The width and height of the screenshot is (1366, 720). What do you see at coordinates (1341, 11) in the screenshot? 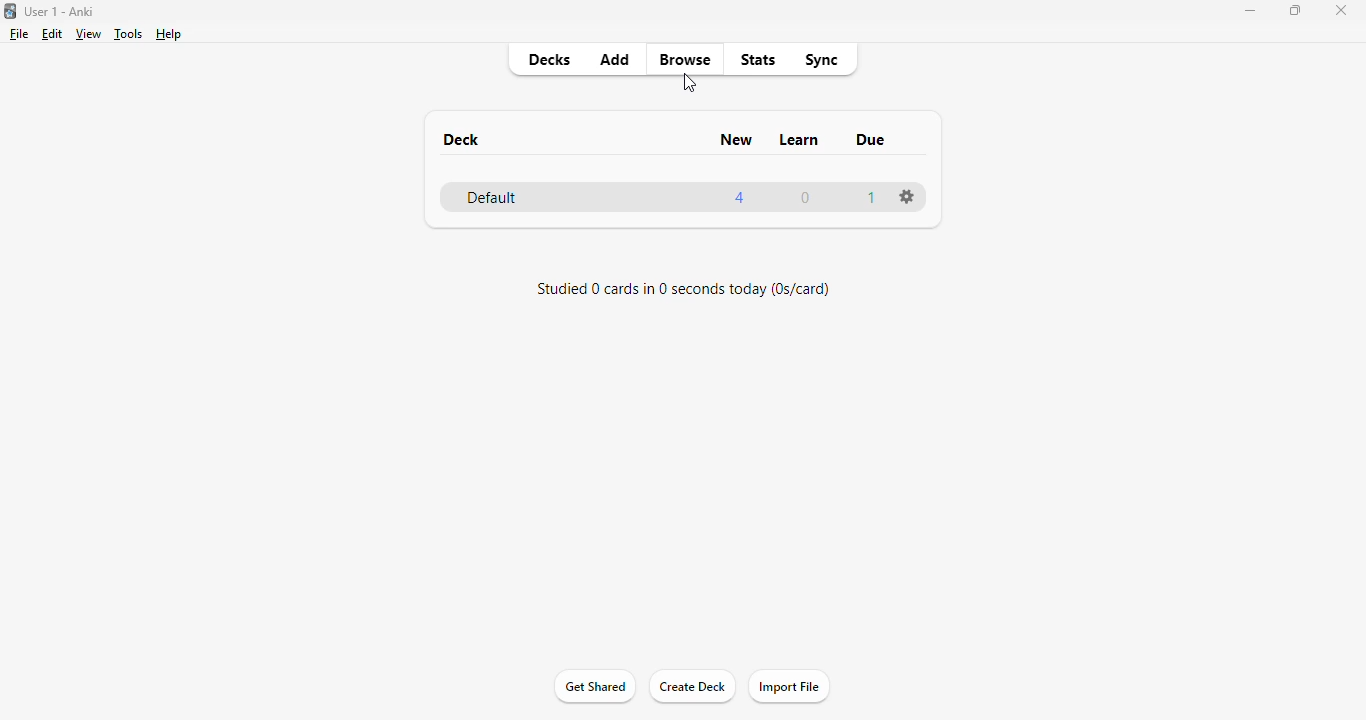
I see `close` at bounding box center [1341, 11].